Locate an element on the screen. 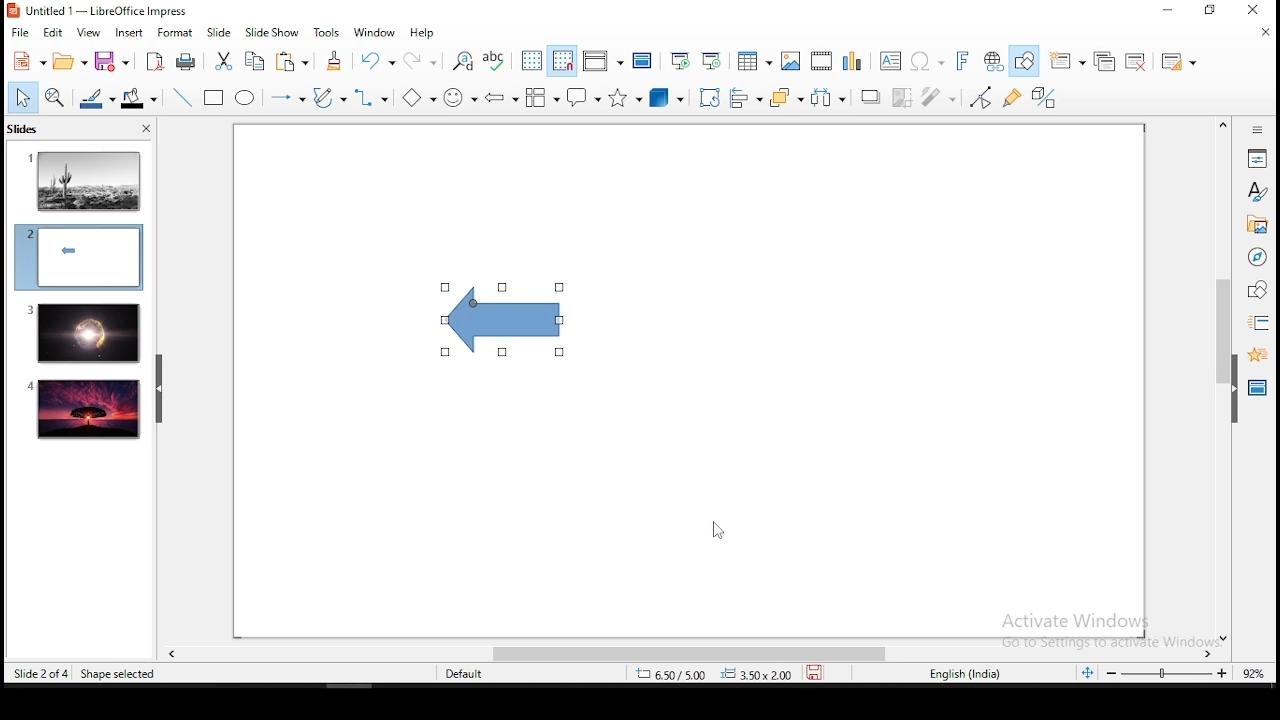   is located at coordinates (1088, 626).